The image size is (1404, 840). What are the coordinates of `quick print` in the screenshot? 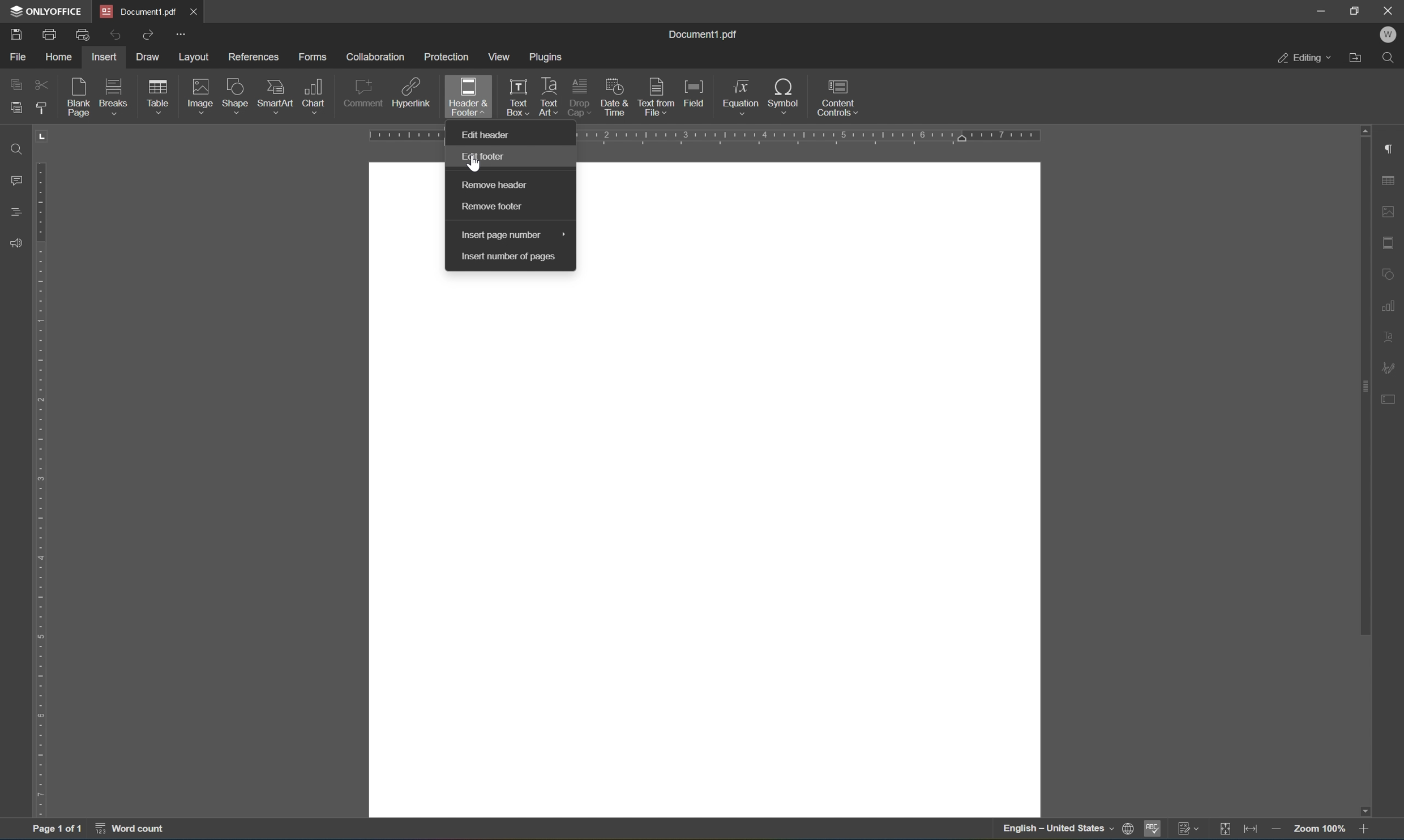 It's located at (83, 36).